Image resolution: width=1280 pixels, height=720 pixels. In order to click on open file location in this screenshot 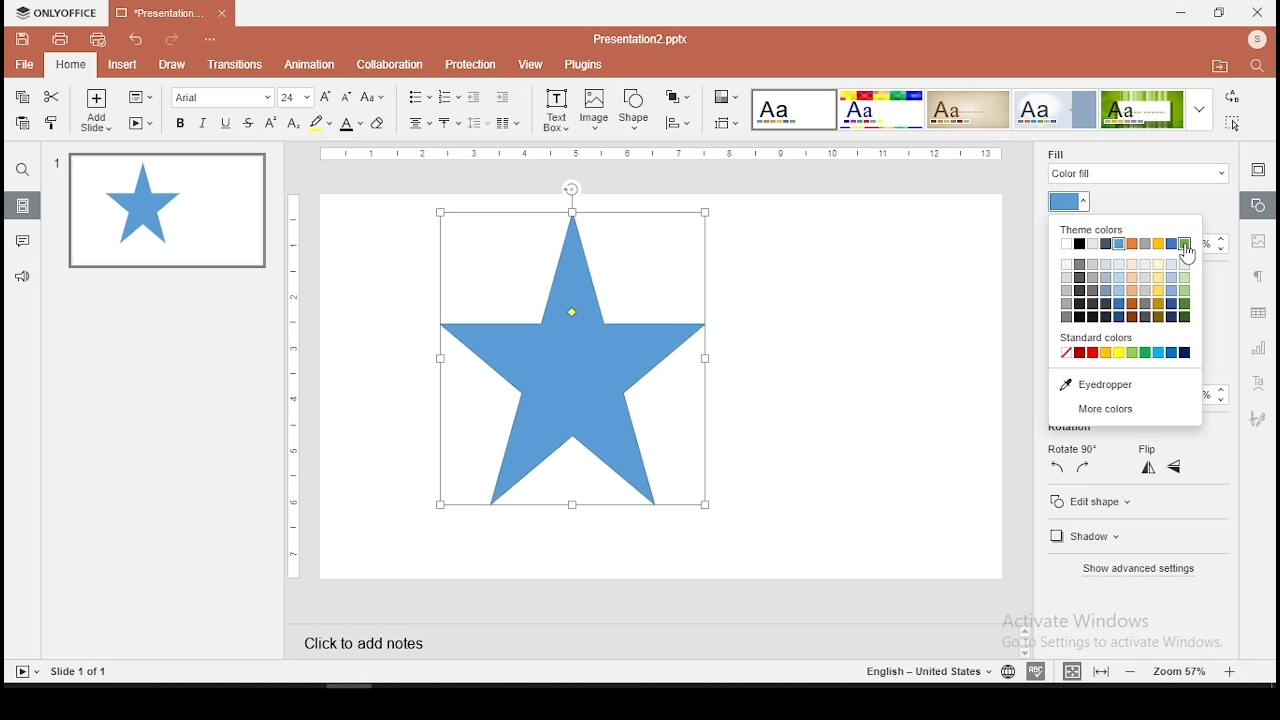, I will do `click(1219, 67)`.